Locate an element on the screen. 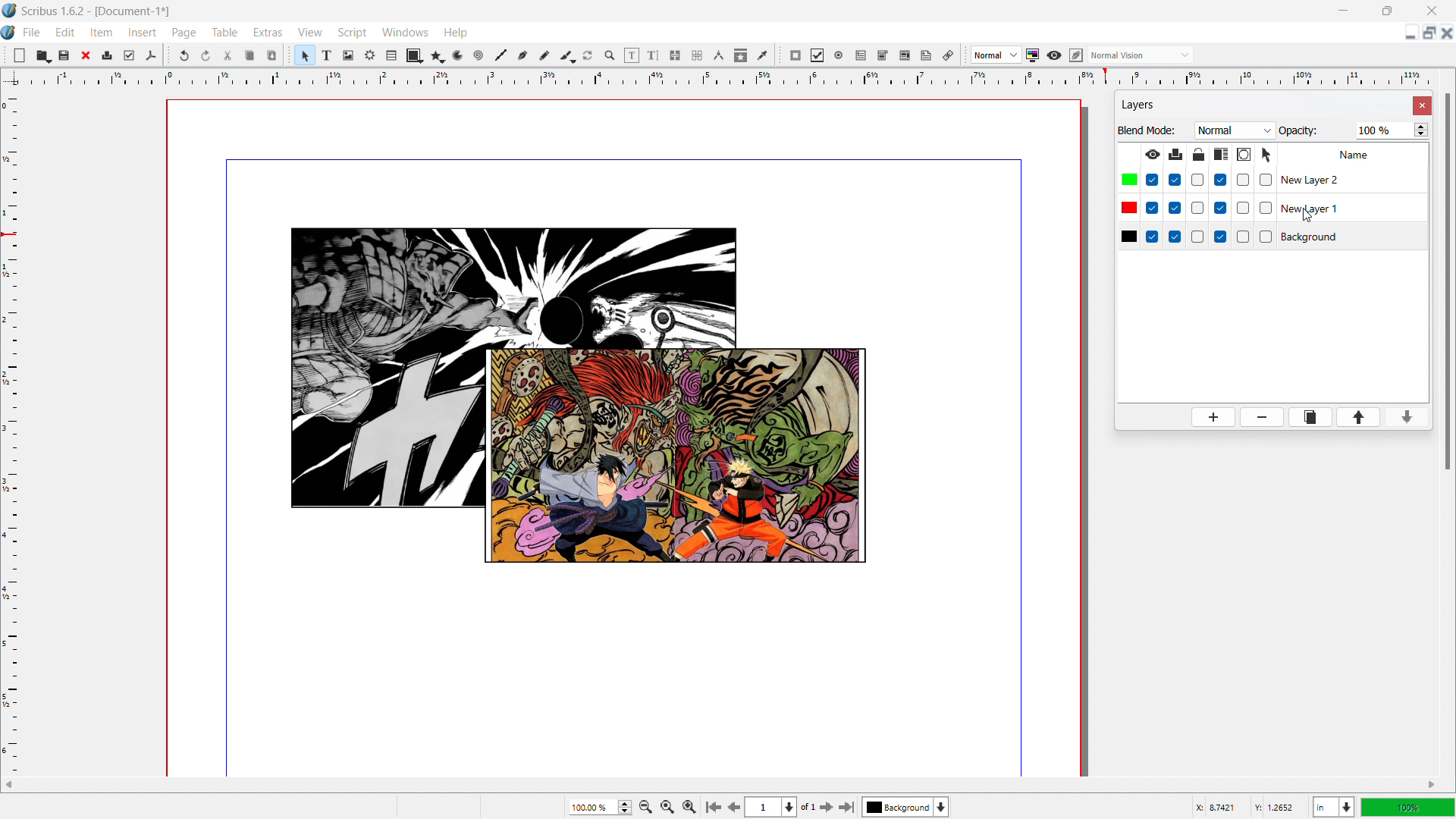 The height and width of the screenshot is (819, 1456). background is located at coordinates (1351, 235).